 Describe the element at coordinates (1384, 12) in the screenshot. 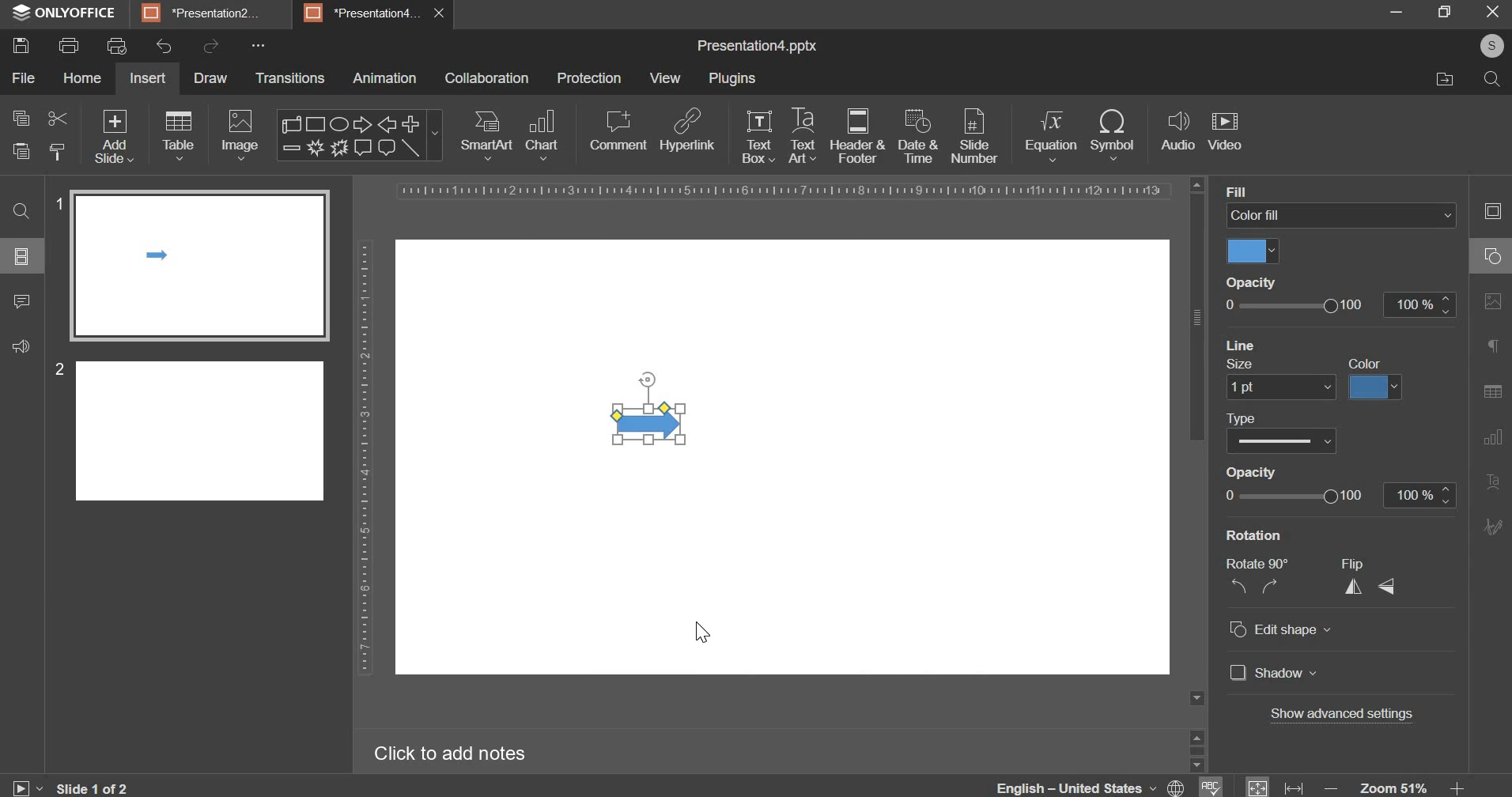

I see `minimise` at that location.